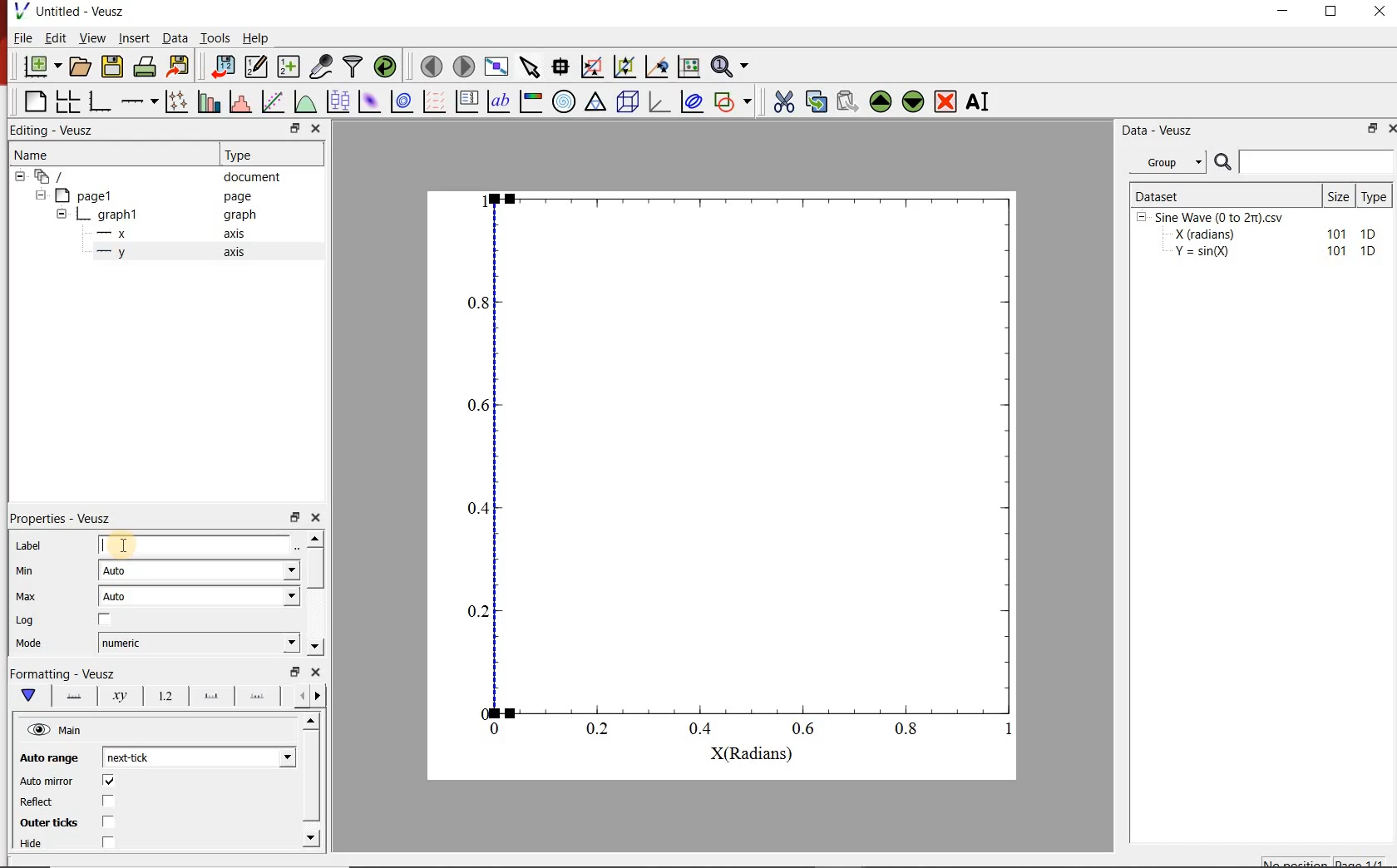 Image resolution: width=1397 pixels, height=868 pixels. What do you see at coordinates (499, 101) in the screenshot?
I see `text label` at bounding box center [499, 101].